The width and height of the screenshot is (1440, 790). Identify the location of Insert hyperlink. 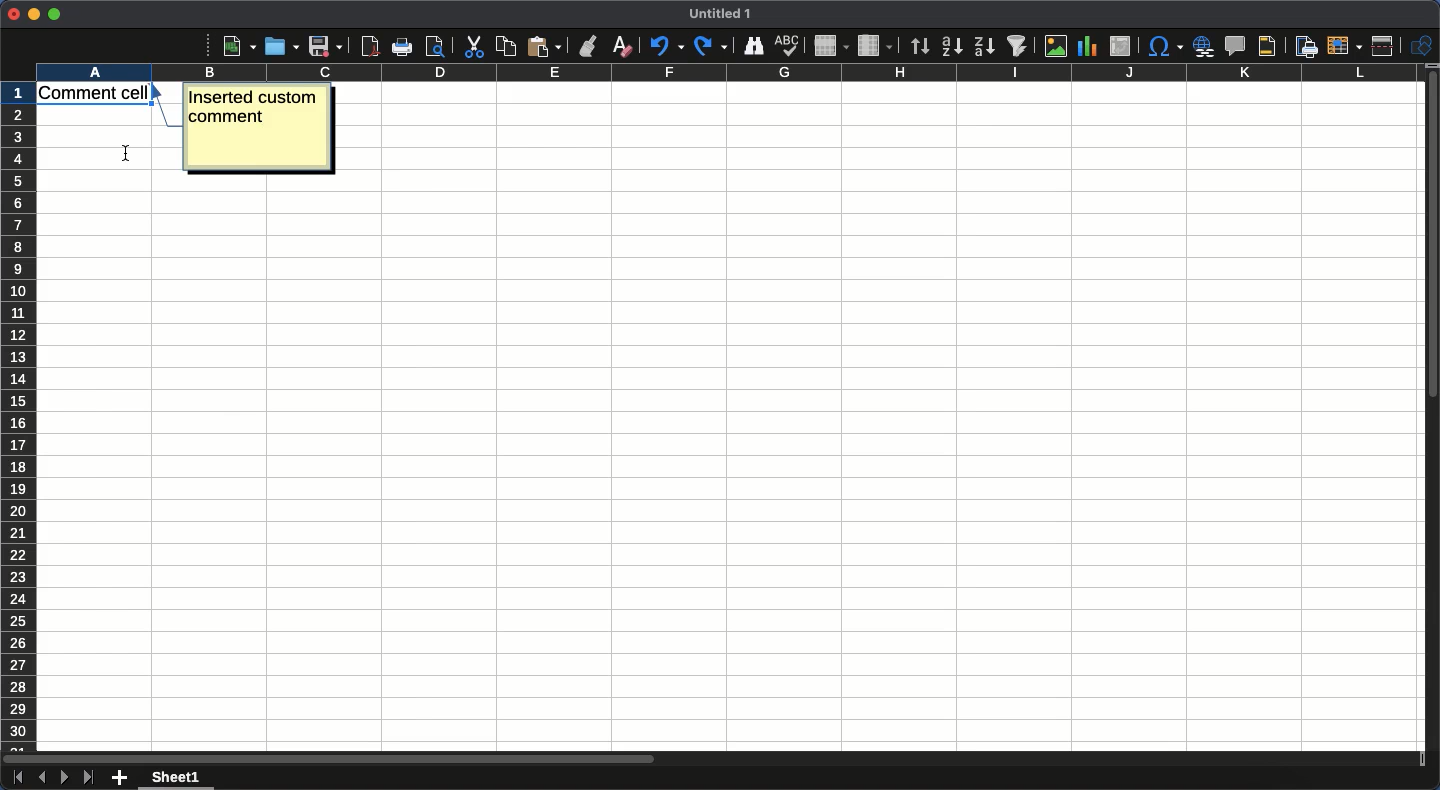
(1202, 45).